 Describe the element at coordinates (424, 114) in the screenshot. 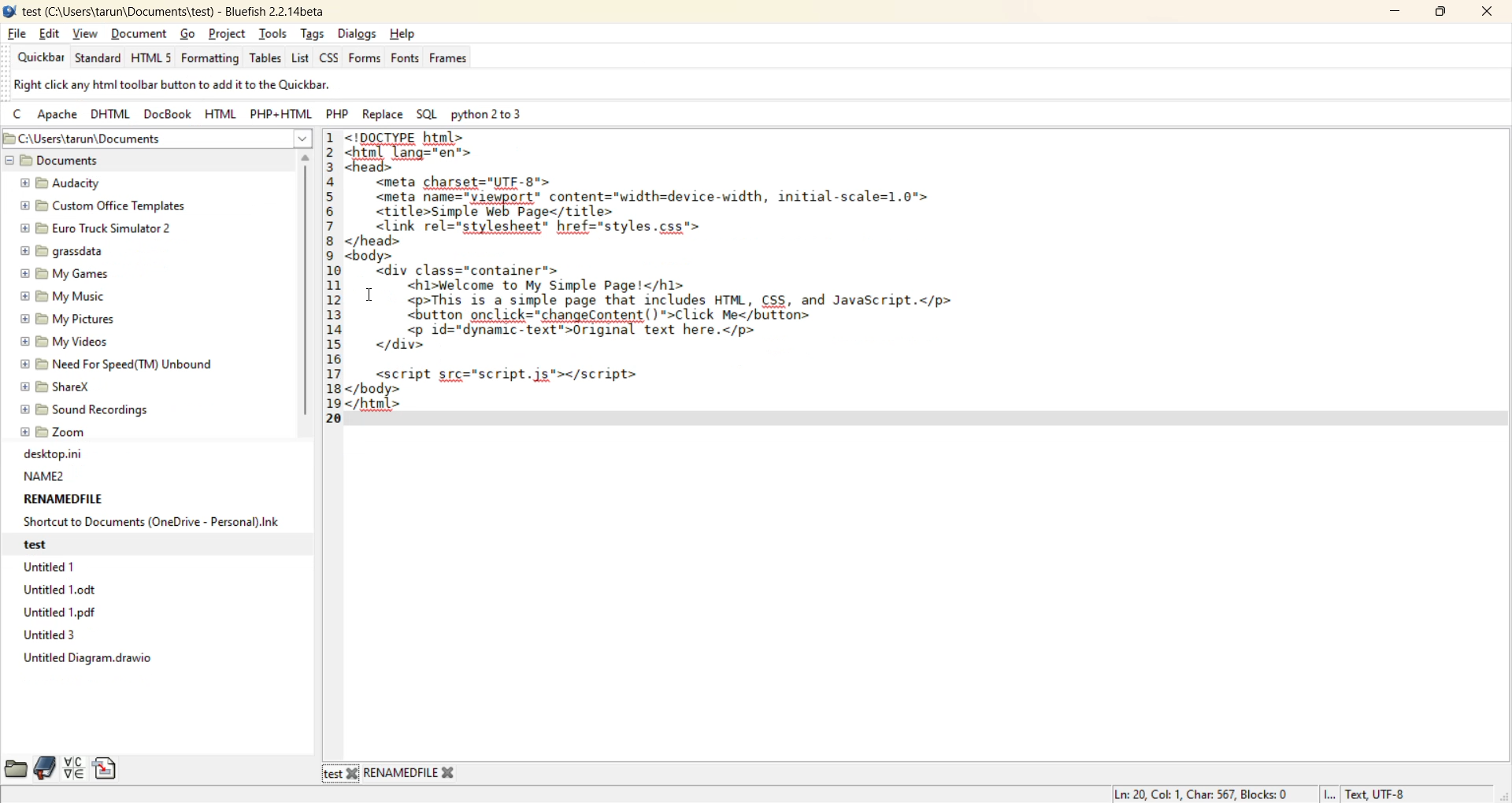

I see `sql` at that location.